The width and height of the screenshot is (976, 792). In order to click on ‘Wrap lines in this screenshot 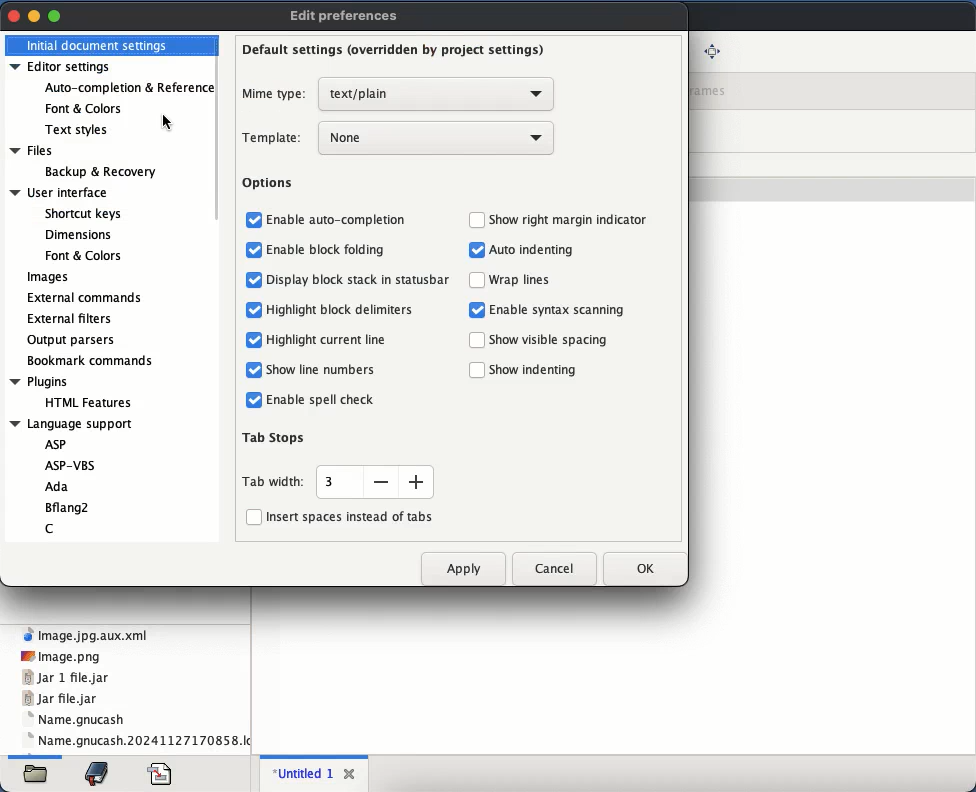, I will do `click(528, 278)`.